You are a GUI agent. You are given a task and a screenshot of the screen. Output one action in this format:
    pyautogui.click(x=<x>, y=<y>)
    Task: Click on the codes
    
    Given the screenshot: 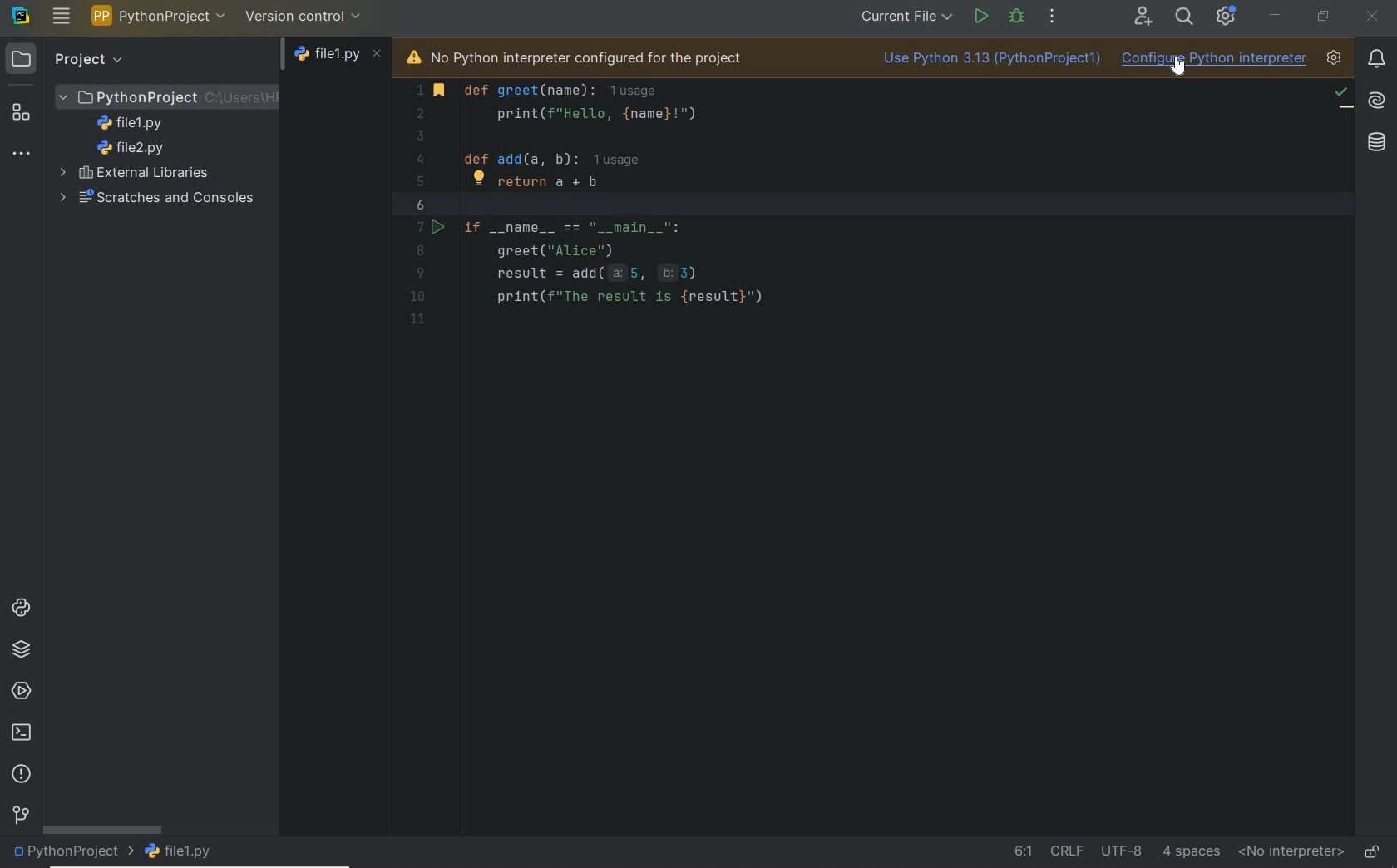 What is the action you would take?
    pyautogui.click(x=812, y=229)
    